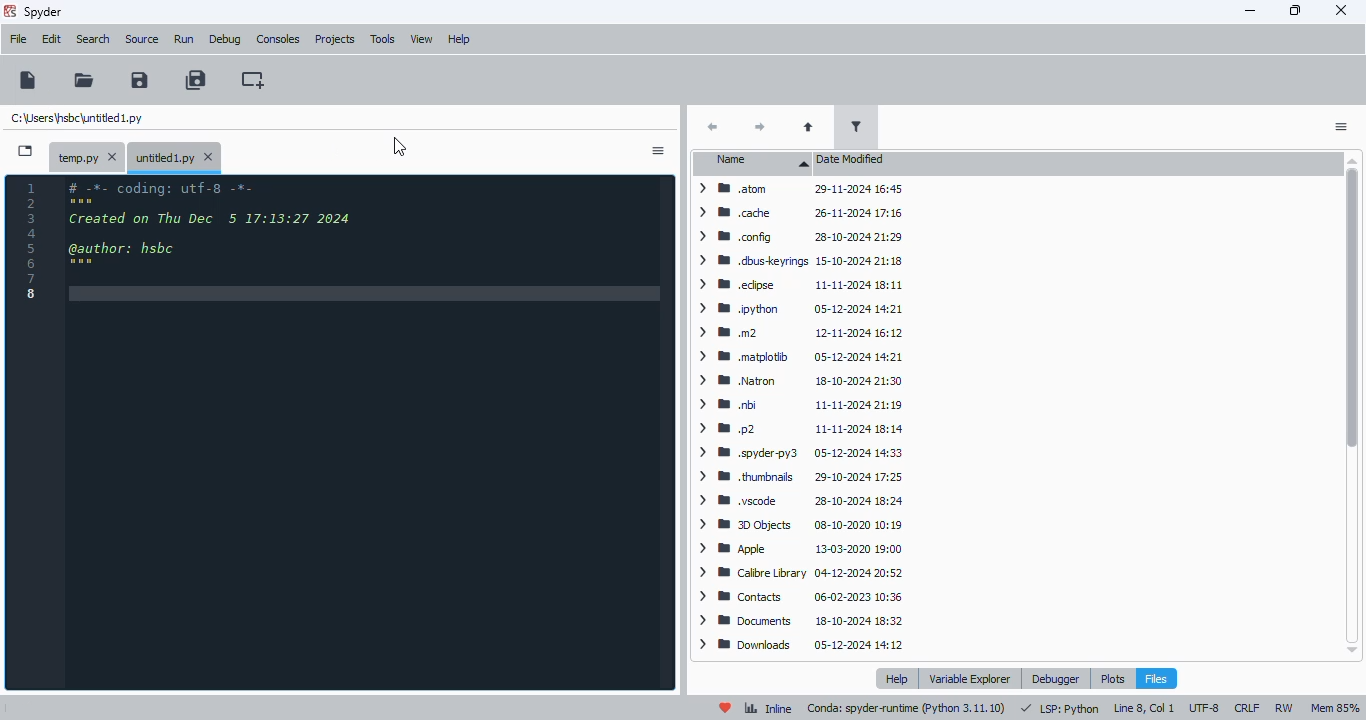 This screenshot has width=1366, height=720. What do you see at coordinates (44, 13) in the screenshot?
I see `spyder` at bounding box center [44, 13].